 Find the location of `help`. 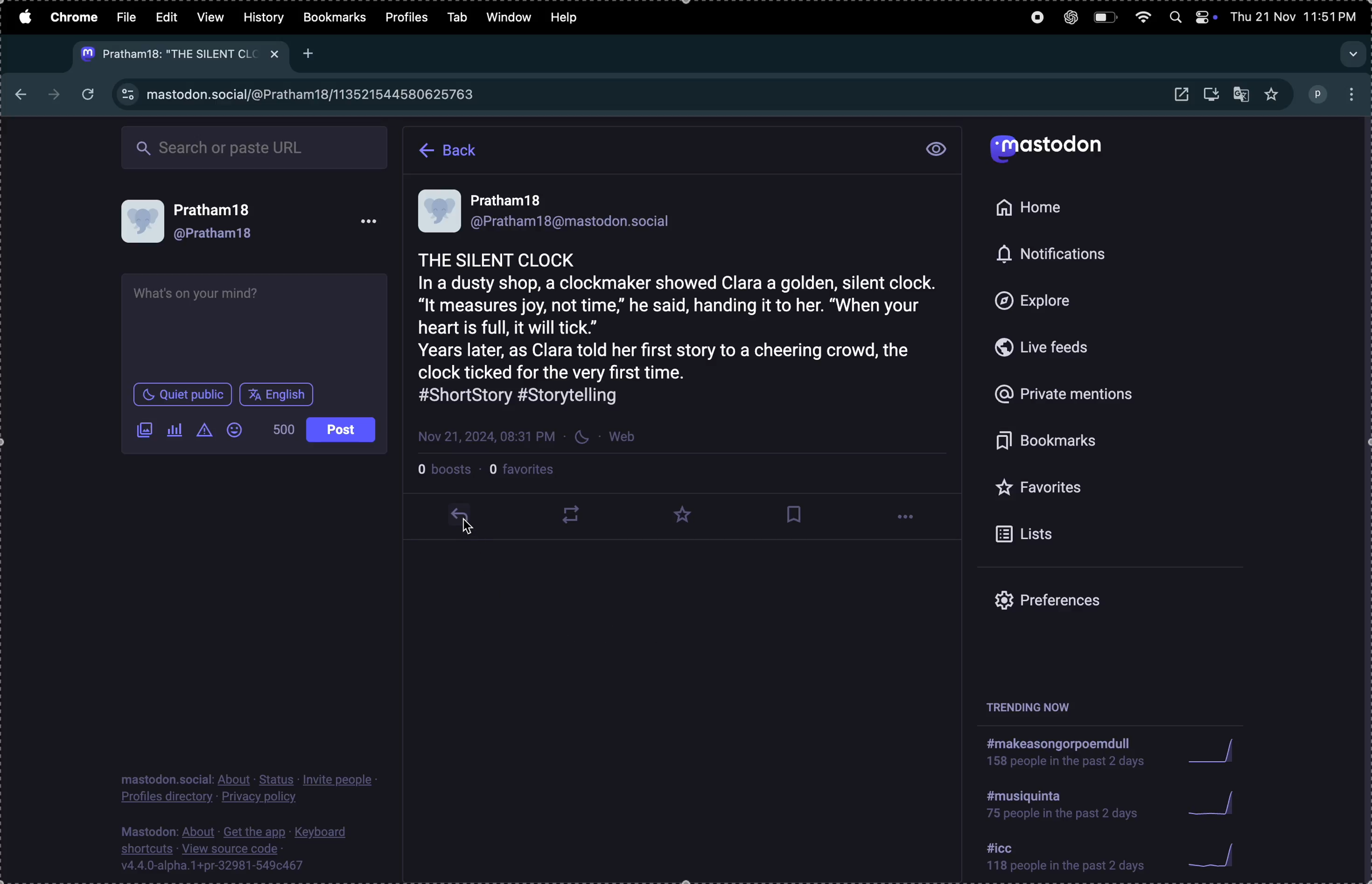

help is located at coordinates (570, 20).